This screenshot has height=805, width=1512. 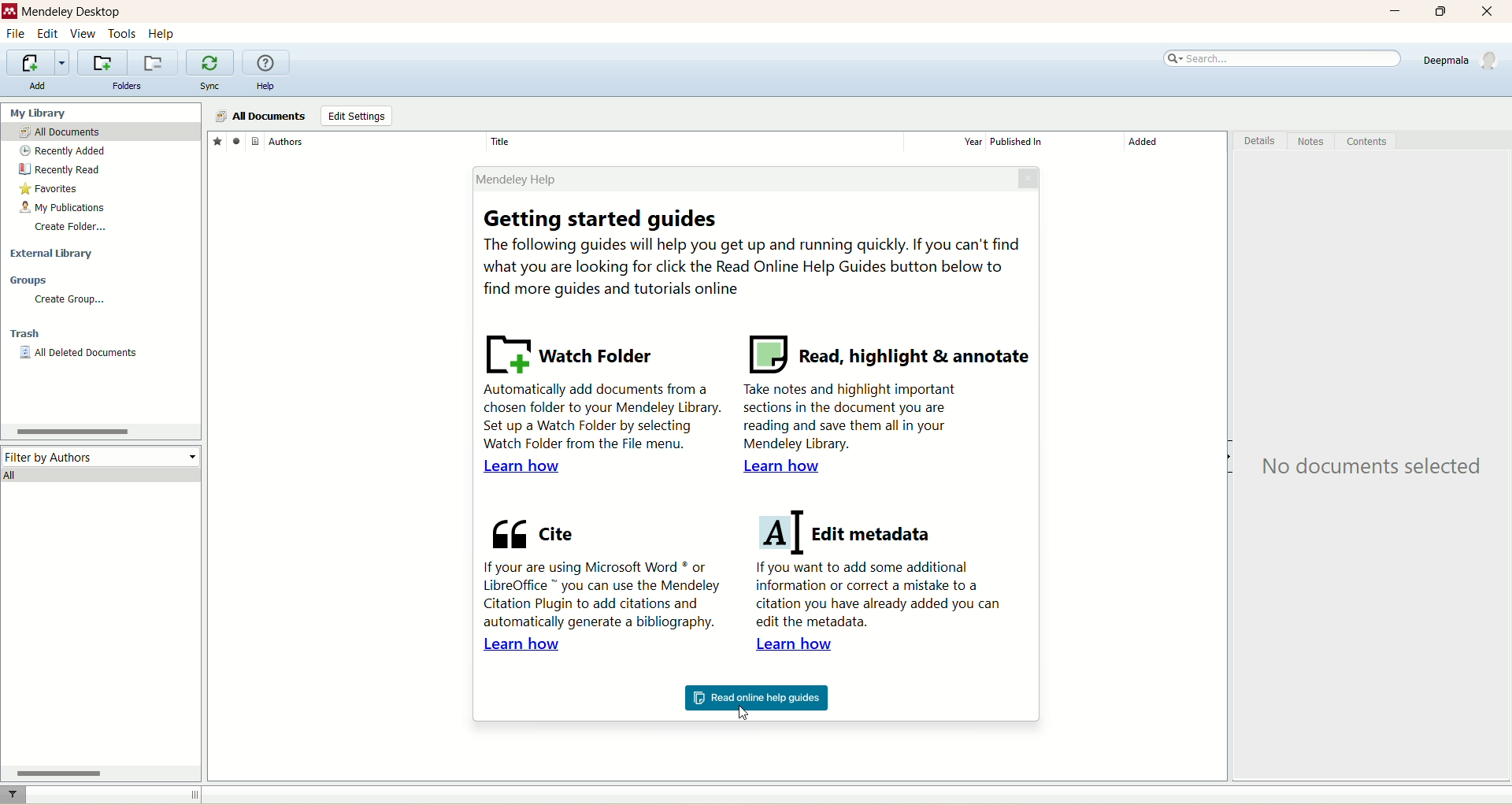 I want to click on close, so click(x=1030, y=177).